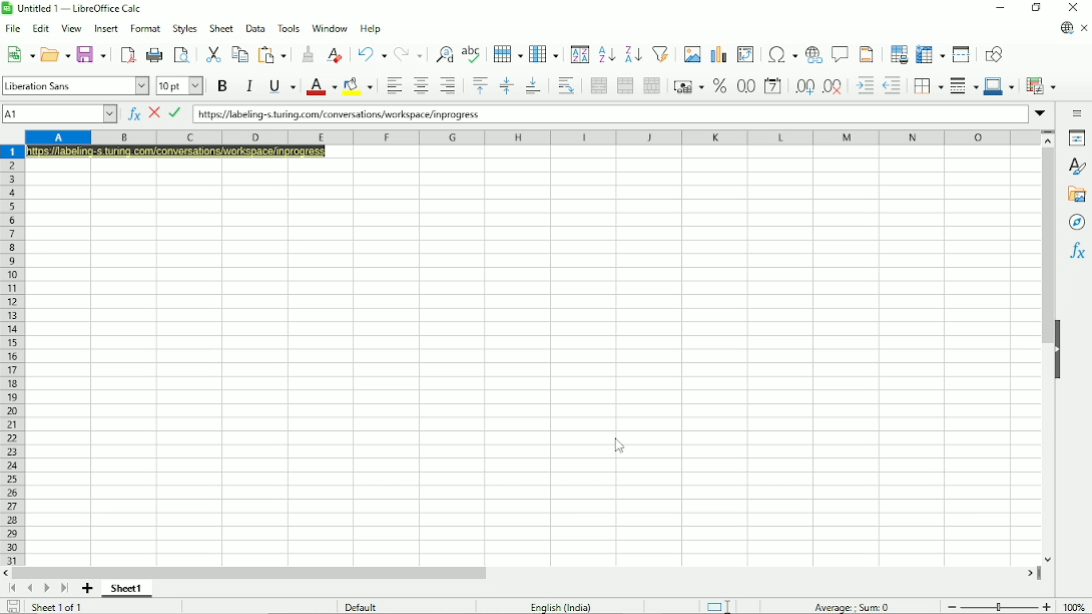 The height and width of the screenshot is (614, 1092). I want to click on Insert special characters, so click(781, 56).